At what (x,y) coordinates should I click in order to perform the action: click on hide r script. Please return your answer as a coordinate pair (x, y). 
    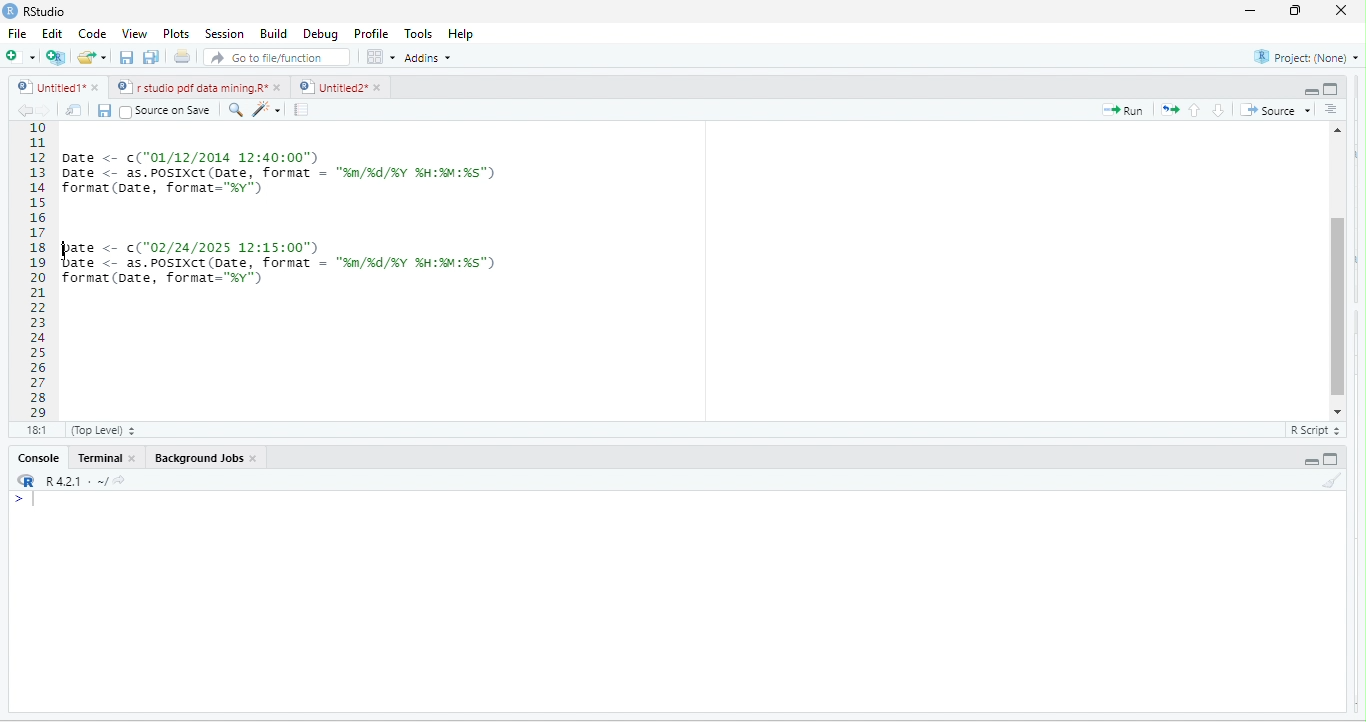
    Looking at the image, I should click on (1308, 86).